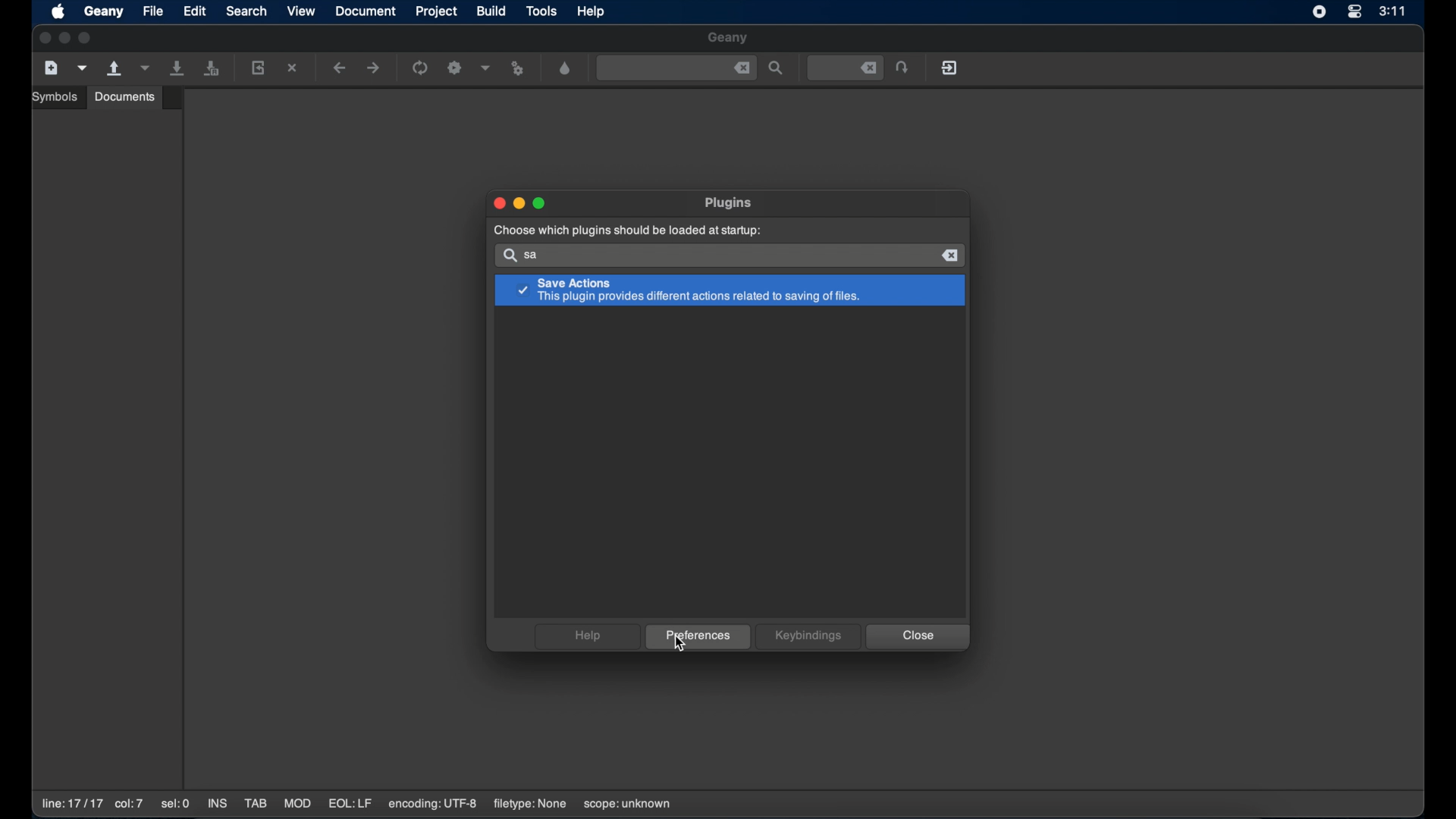 The image size is (1456, 819). I want to click on geany, so click(729, 39).